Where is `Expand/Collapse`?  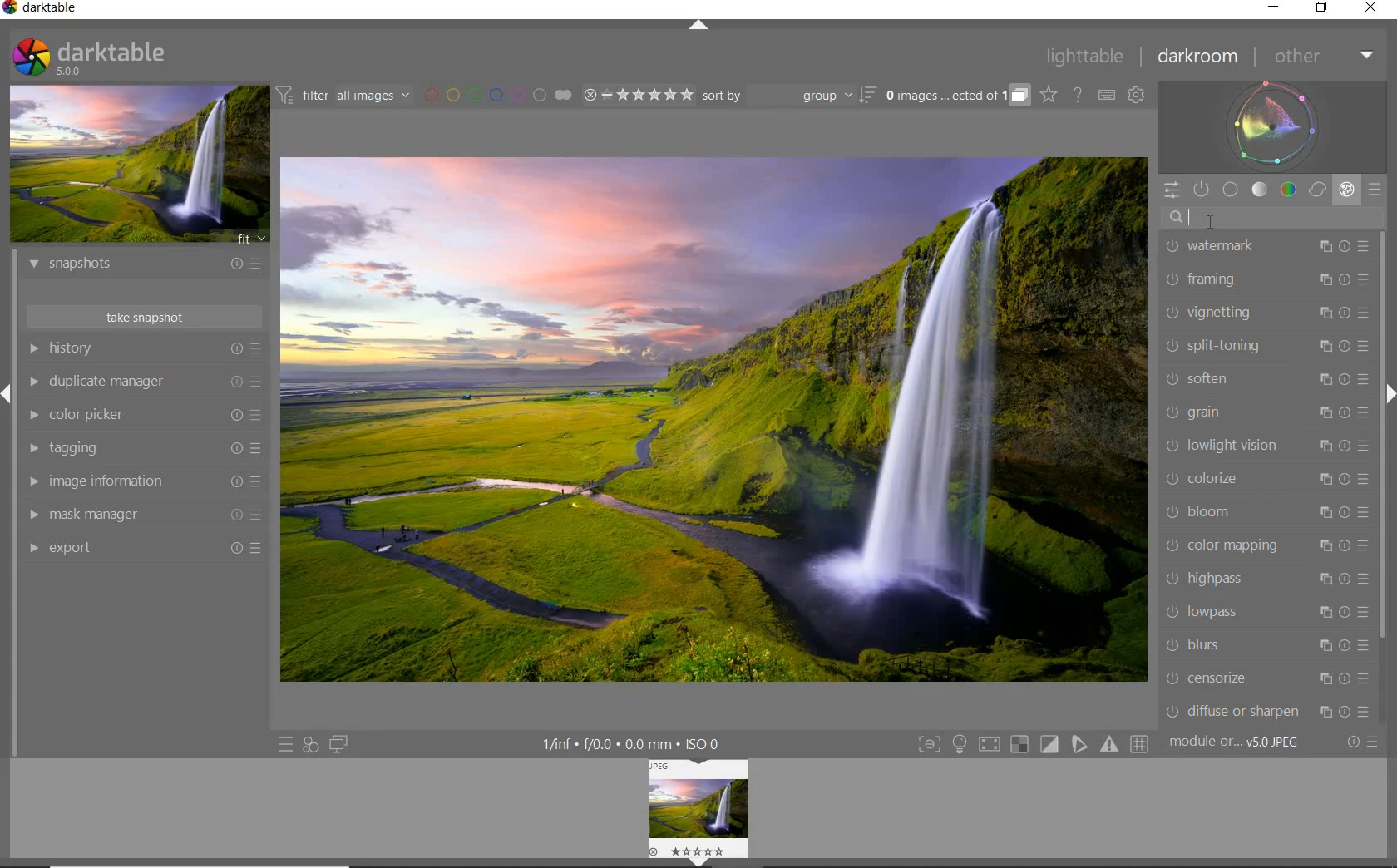
Expand/Collapse is located at coordinates (701, 862).